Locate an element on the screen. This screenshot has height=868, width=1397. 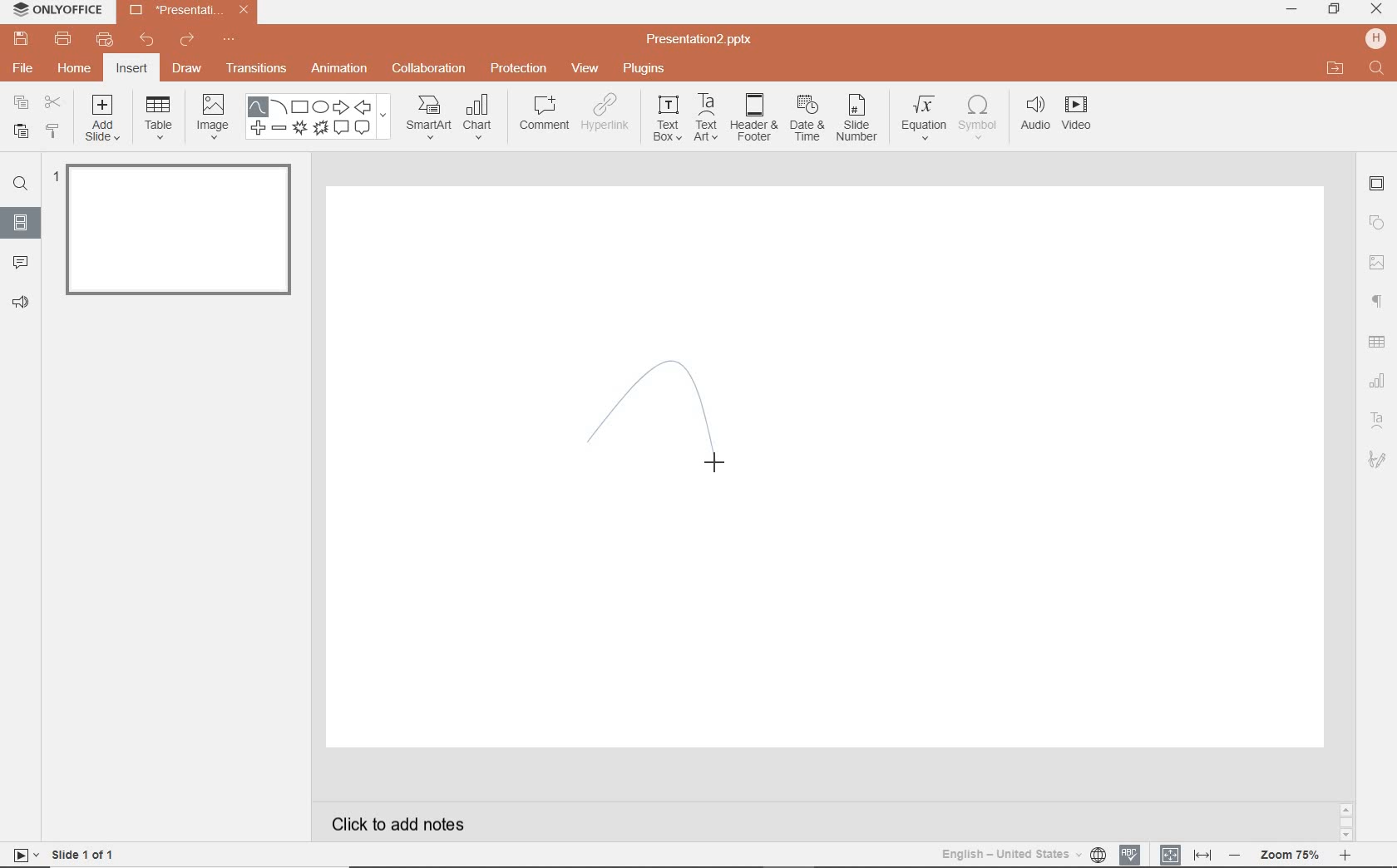
FIND is located at coordinates (23, 184).